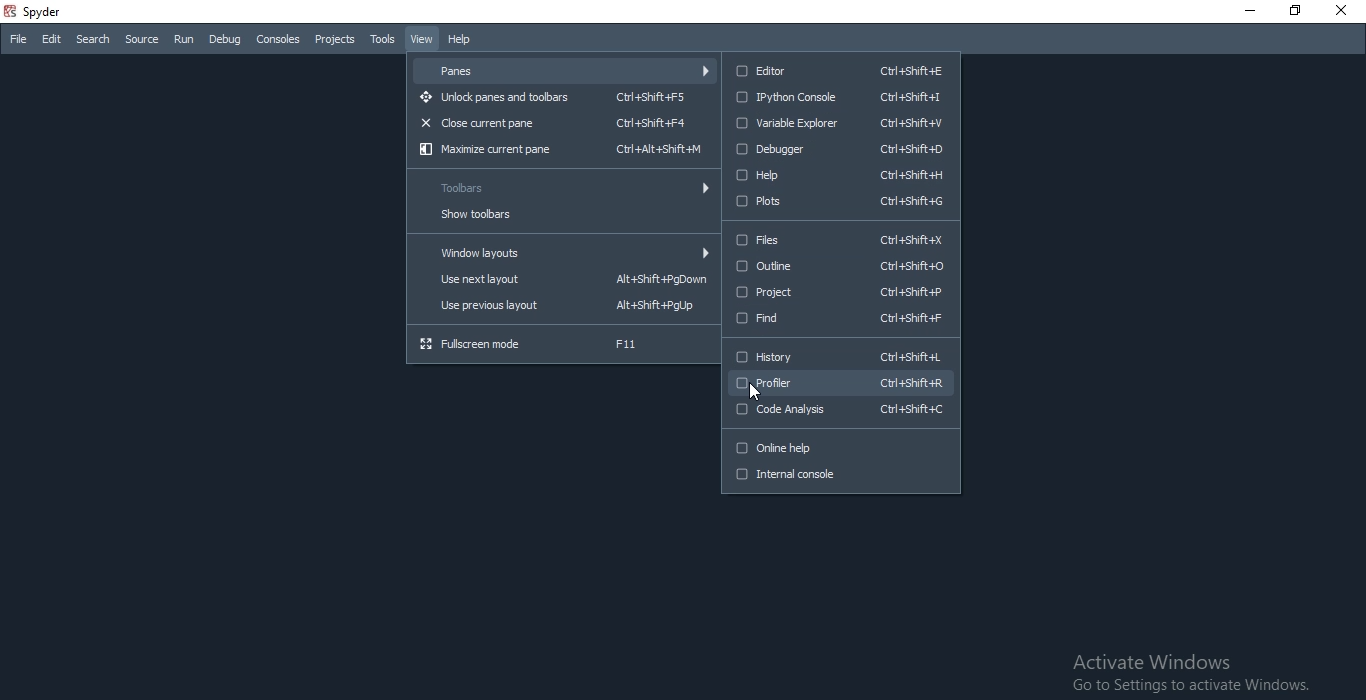 The height and width of the screenshot is (700, 1366). Describe the element at coordinates (563, 98) in the screenshot. I see `Unlock panes and toolbars` at that location.